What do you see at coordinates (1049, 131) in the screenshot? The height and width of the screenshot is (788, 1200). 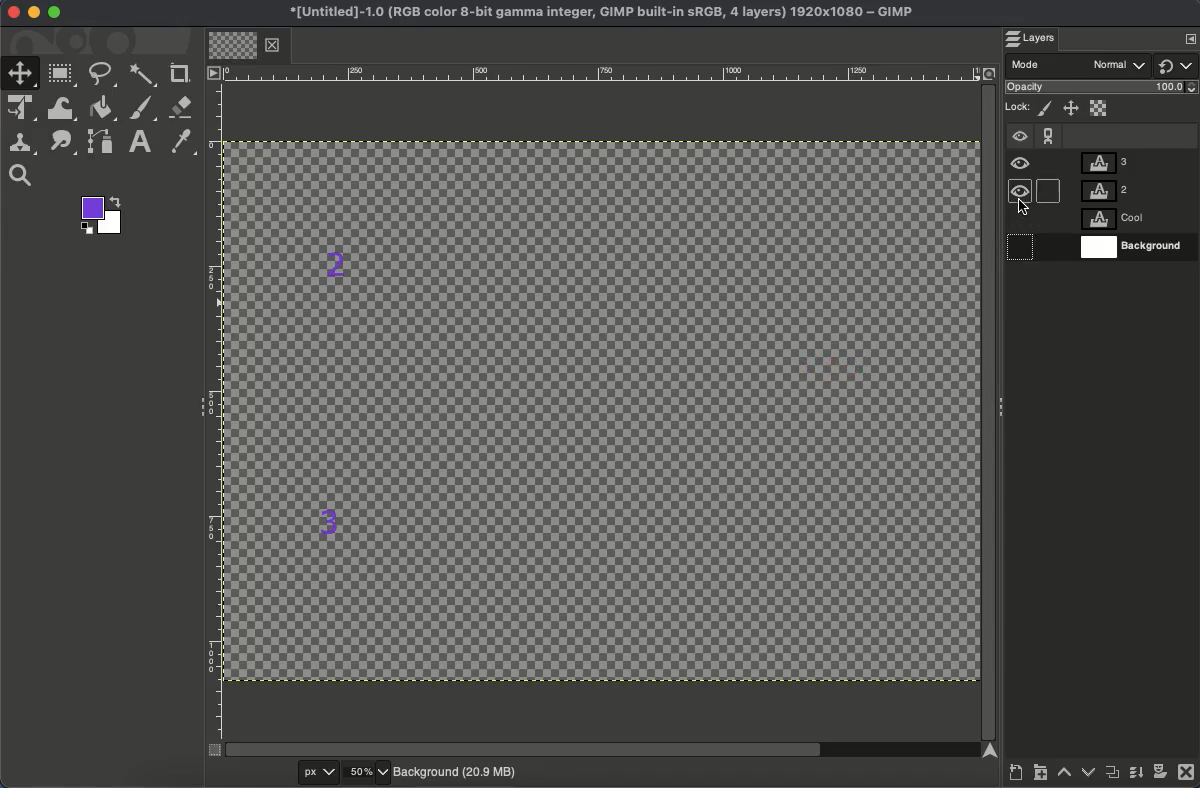 I see `Chain` at bounding box center [1049, 131].